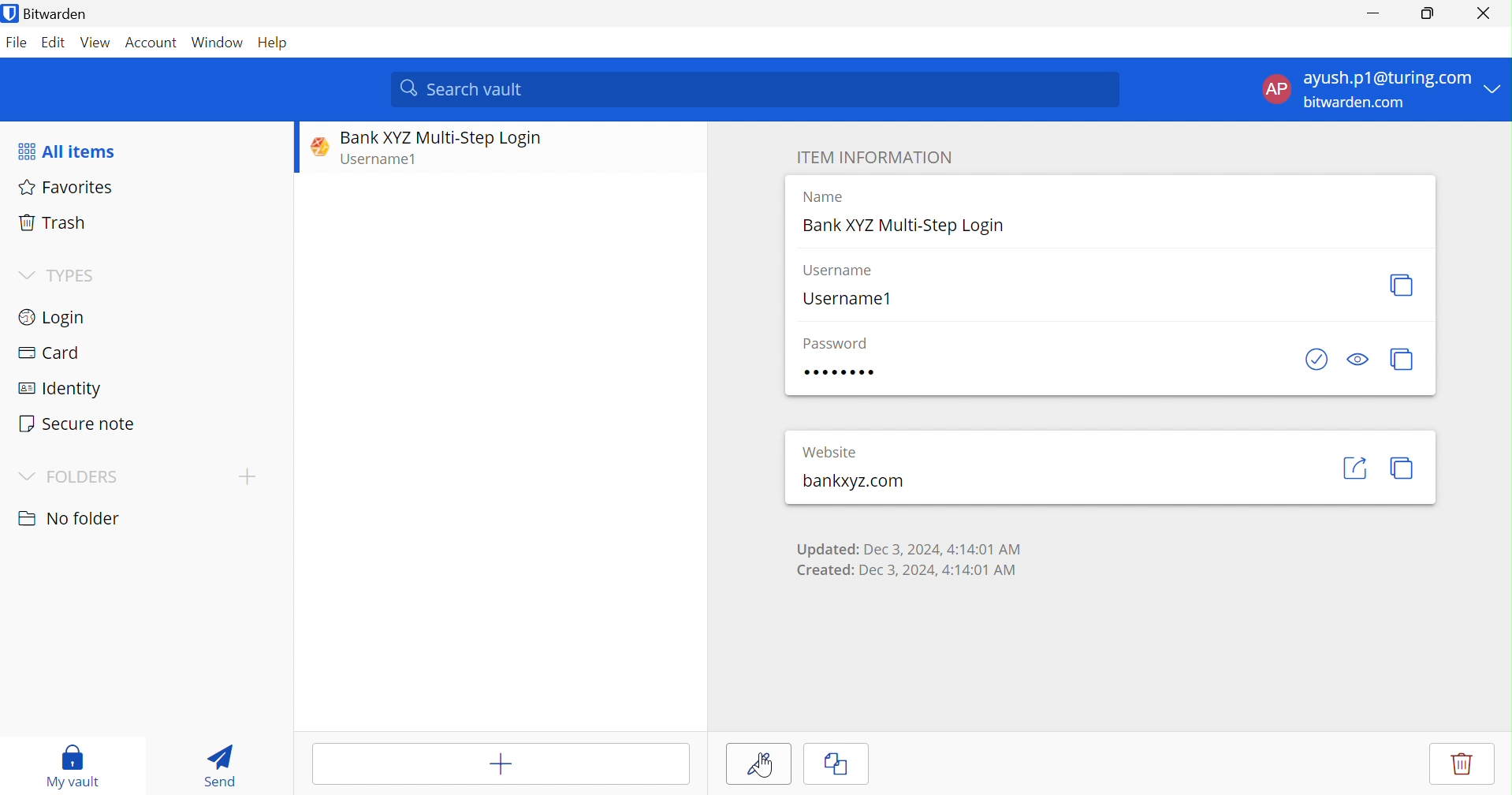  What do you see at coordinates (69, 188) in the screenshot?
I see `Favorites` at bounding box center [69, 188].